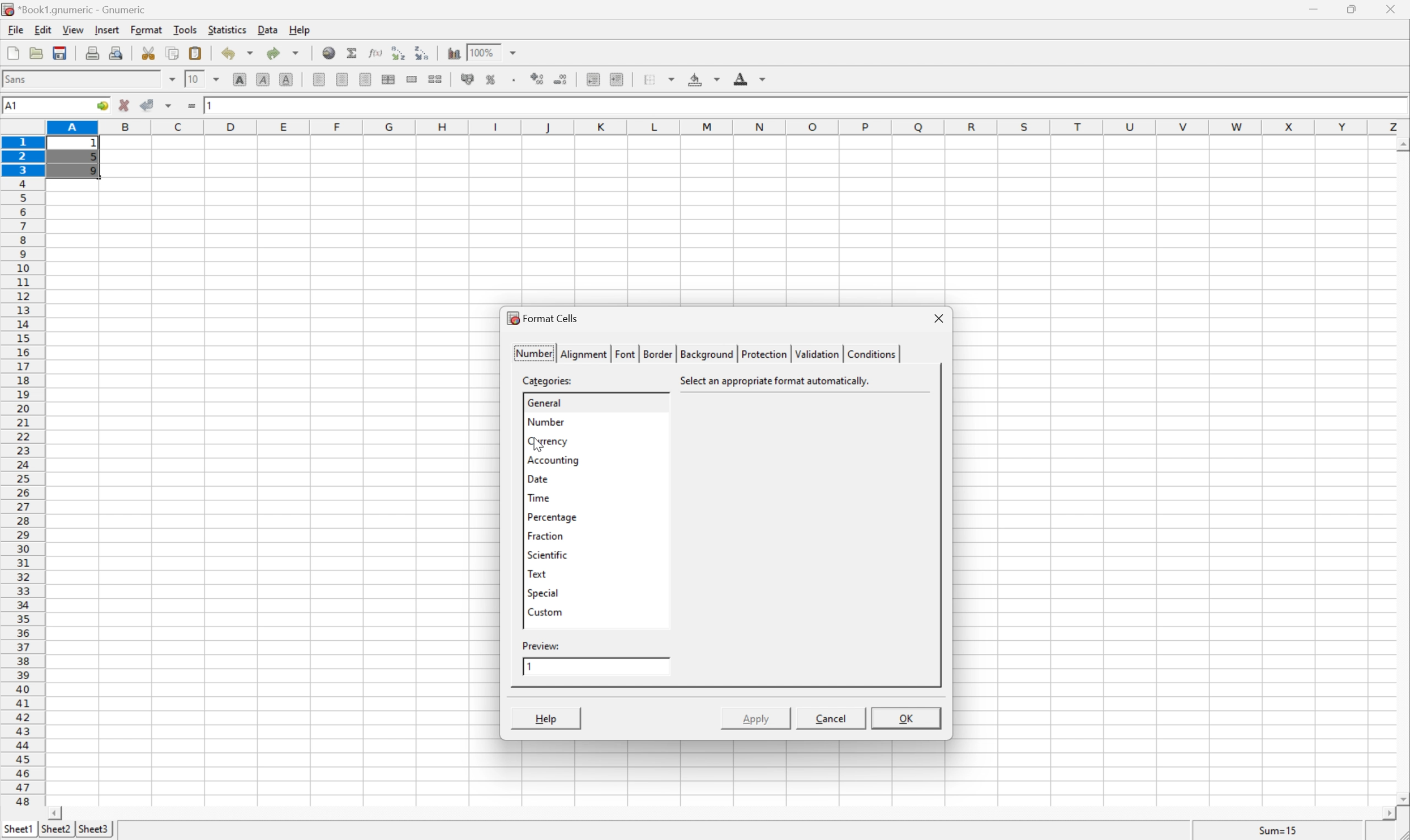 The height and width of the screenshot is (840, 1410). I want to click on scroll left, so click(54, 814).